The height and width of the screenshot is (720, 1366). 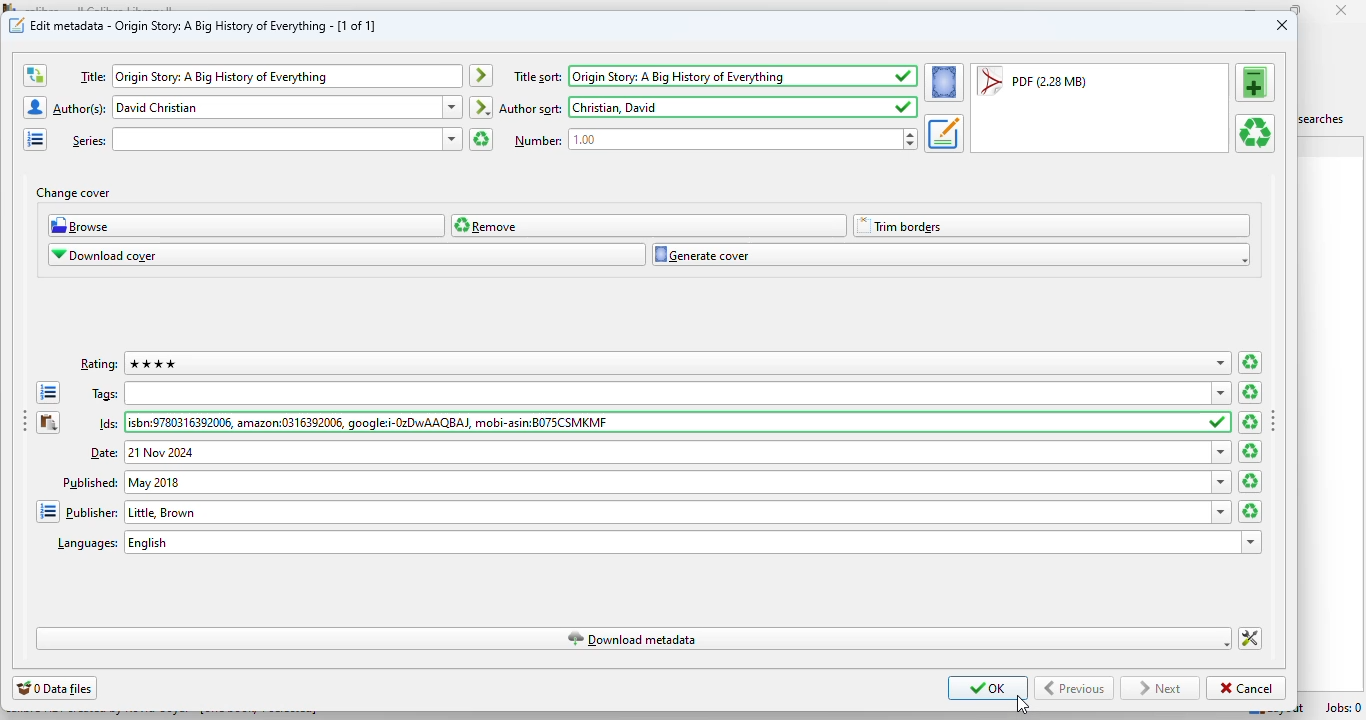 I want to click on download metadata, so click(x=636, y=638).